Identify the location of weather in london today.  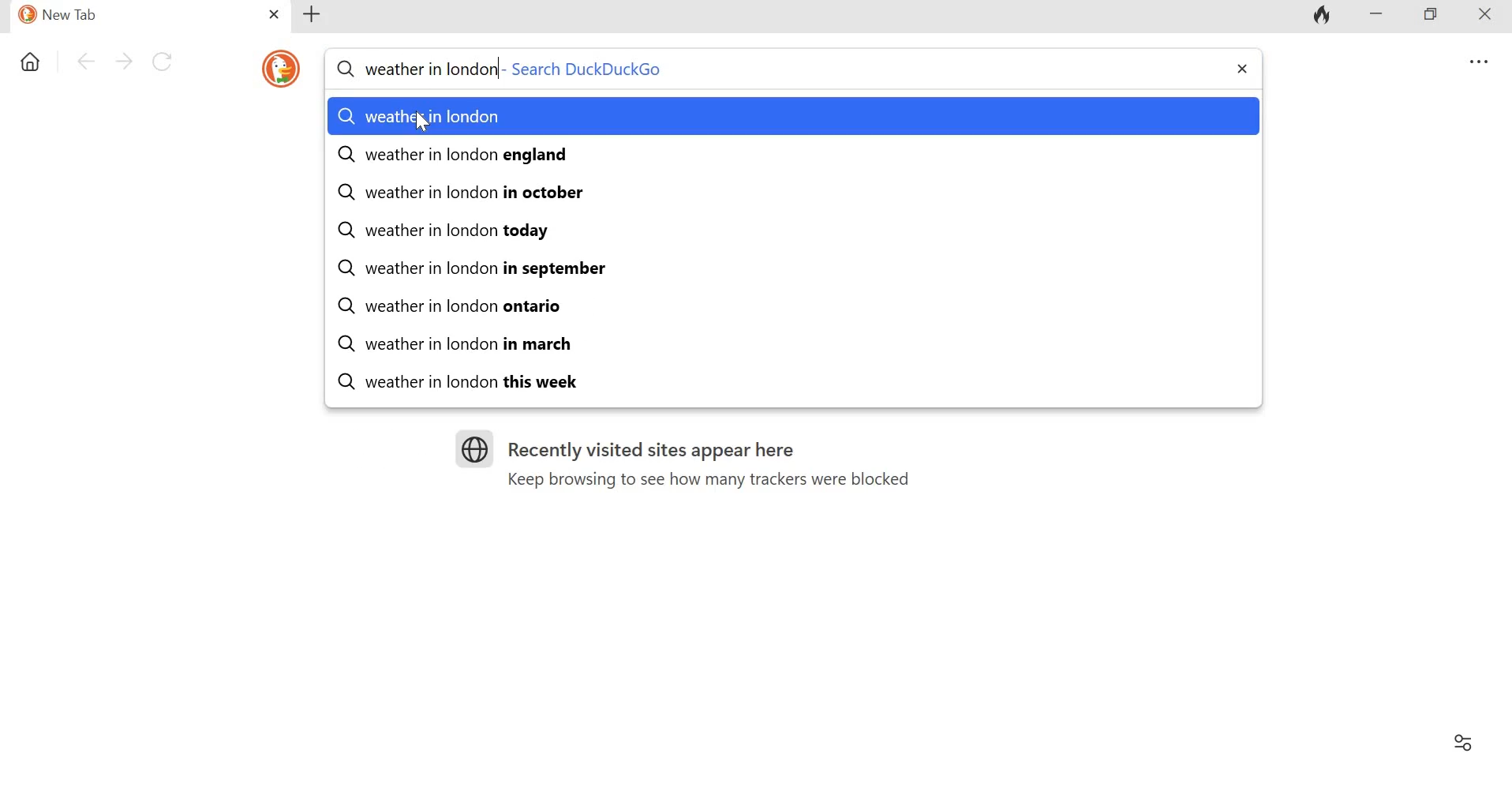
(795, 229).